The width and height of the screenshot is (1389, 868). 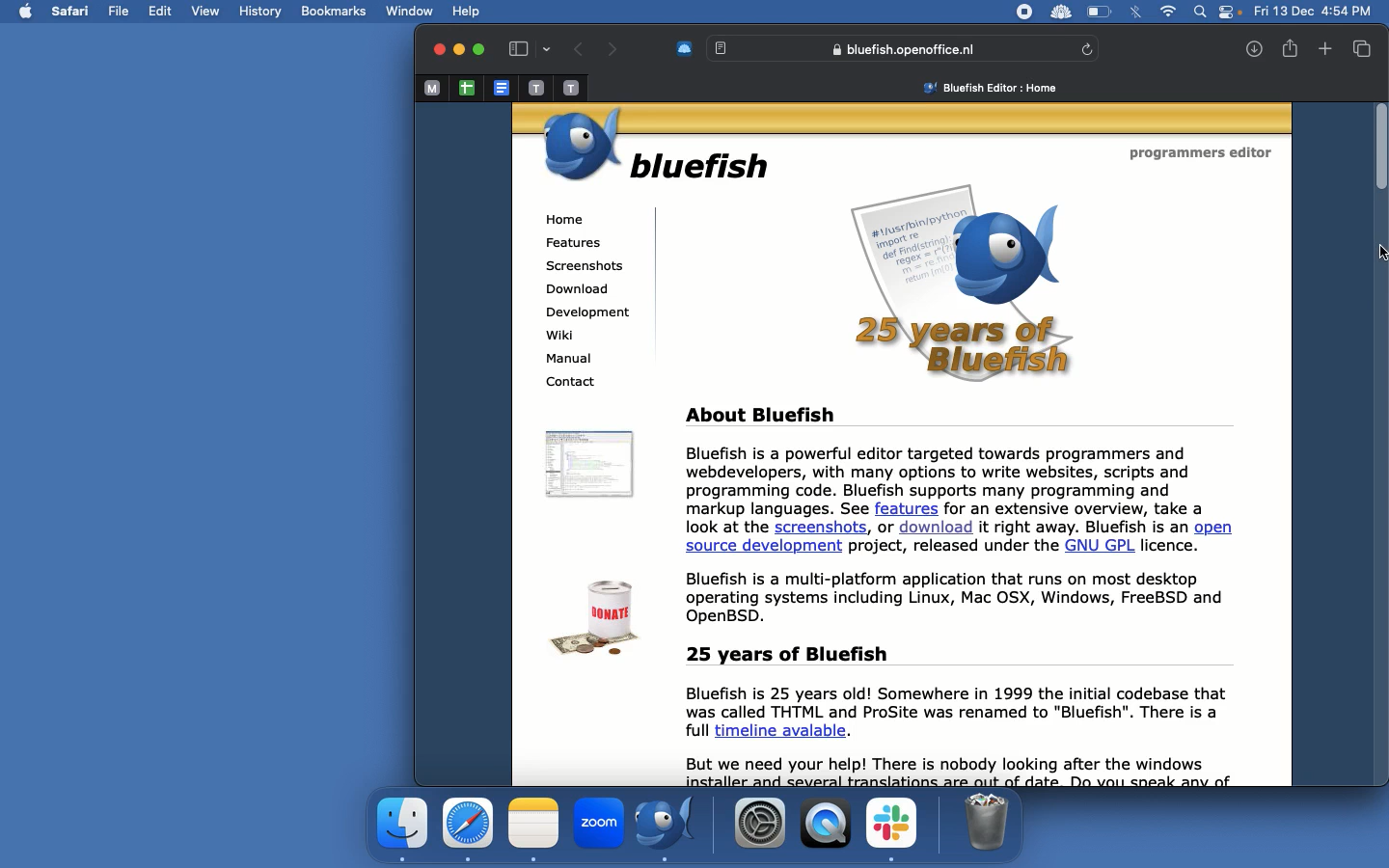 What do you see at coordinates (164, 12) in the screenshot?
I see `Edit` at bounding box center [164, 12].